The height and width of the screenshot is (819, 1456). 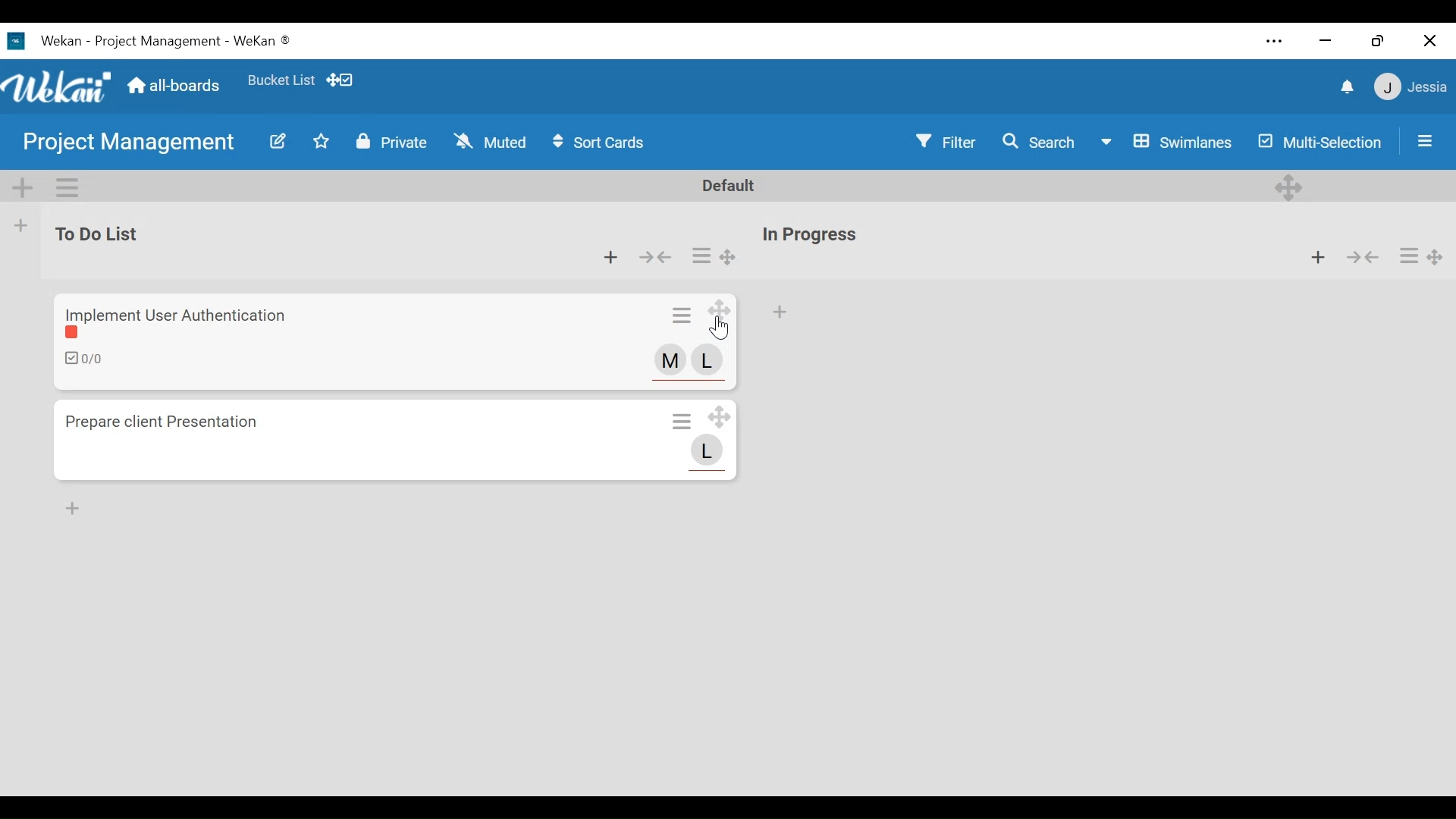 What do you see at coordinates (1436, 257) in the screenshot?
I see `Desktop drag handle` at bounding box center [1436, 257].